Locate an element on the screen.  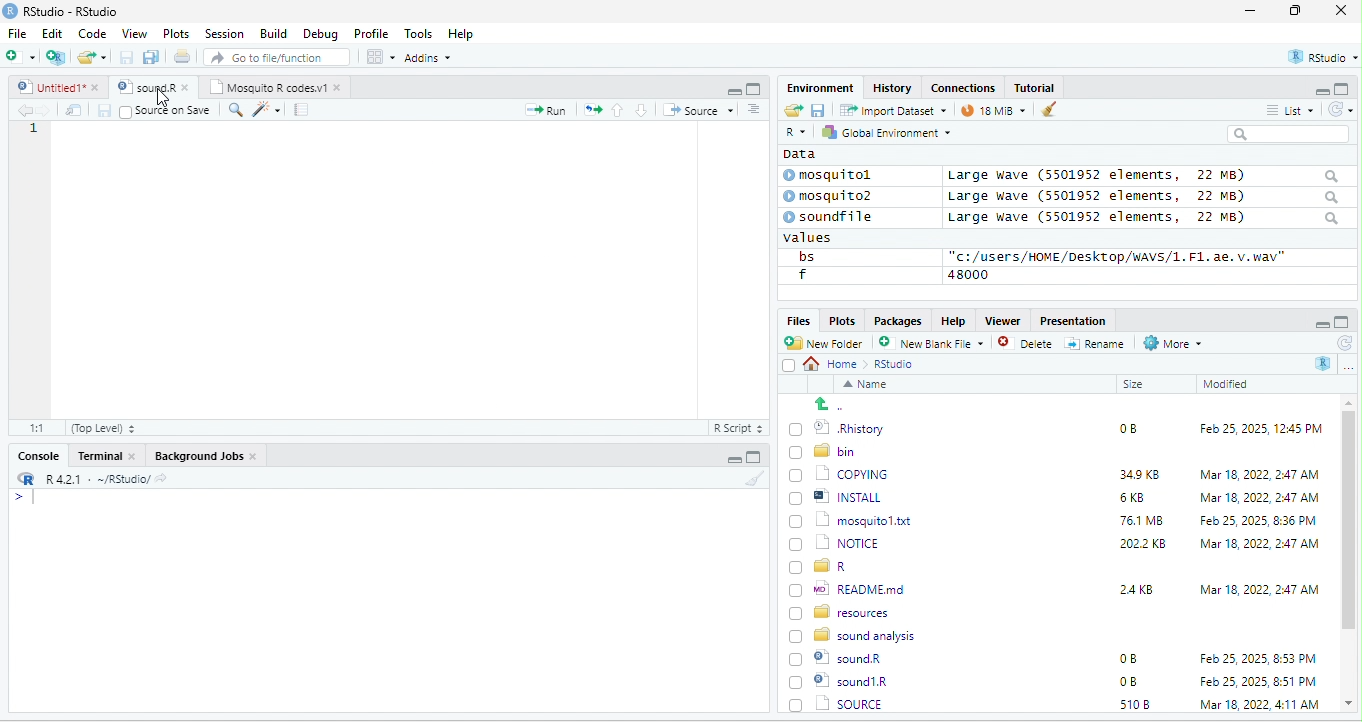
Uninstall.exe is located at coordinates (849, 703).